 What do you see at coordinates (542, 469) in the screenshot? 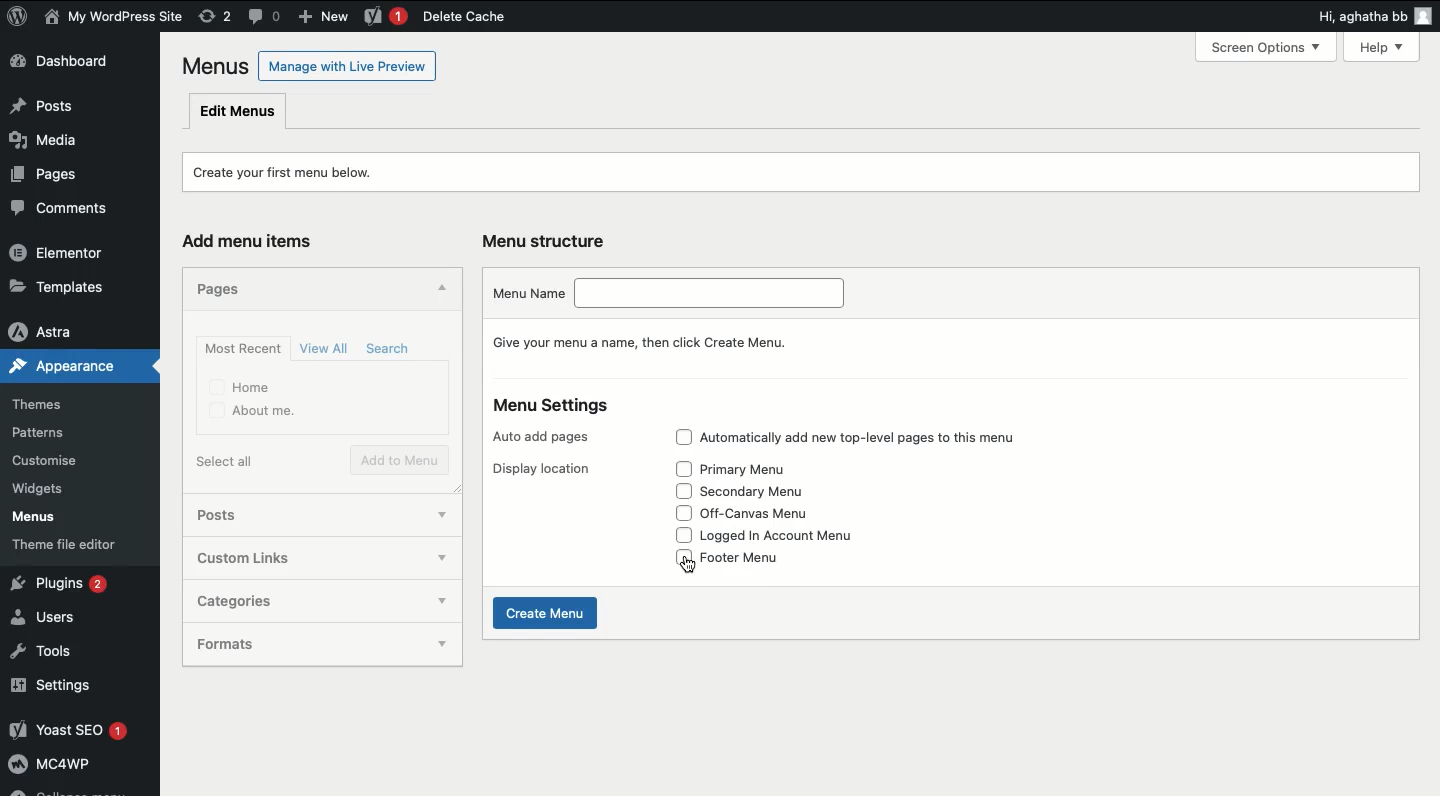
I see `Display location` at bounding box center [542, 469].